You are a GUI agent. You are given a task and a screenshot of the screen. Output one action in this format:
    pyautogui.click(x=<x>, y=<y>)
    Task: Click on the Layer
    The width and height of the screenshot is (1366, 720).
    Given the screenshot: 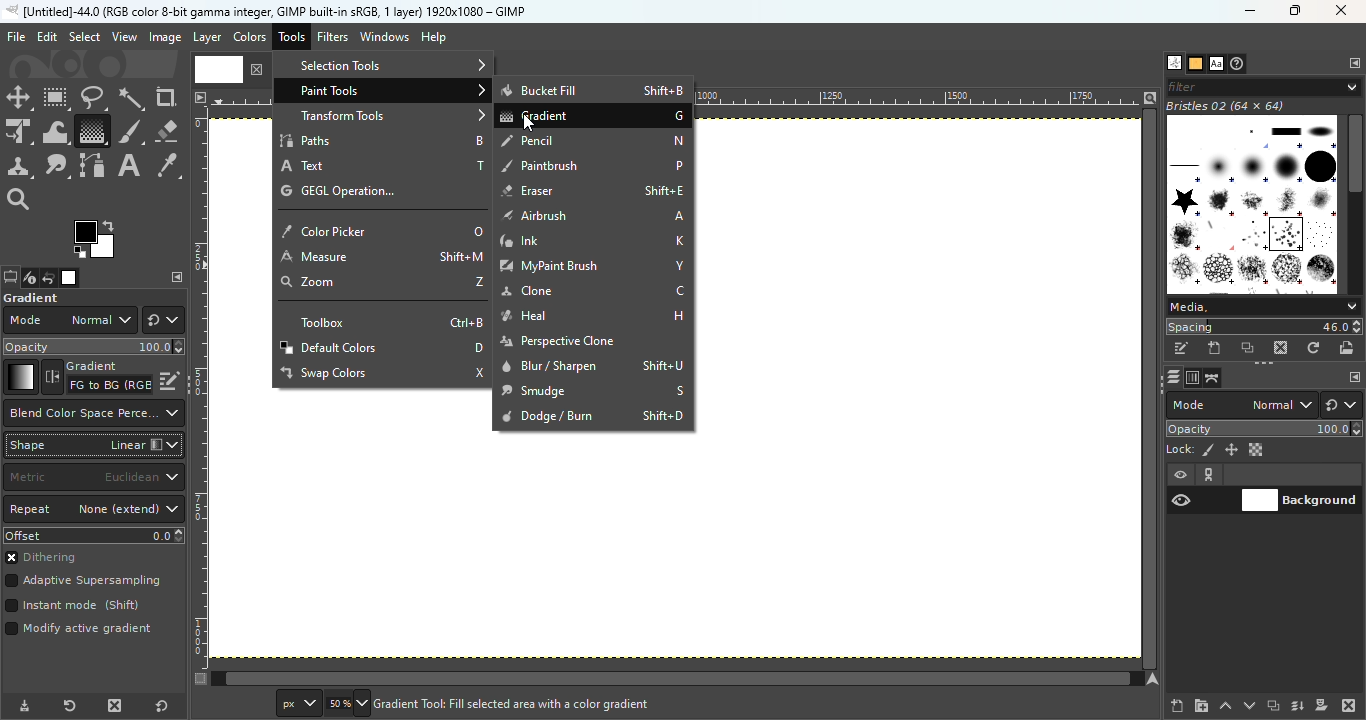 What is the action you would take?
    pyautogui.click(x=206, y=38)
    